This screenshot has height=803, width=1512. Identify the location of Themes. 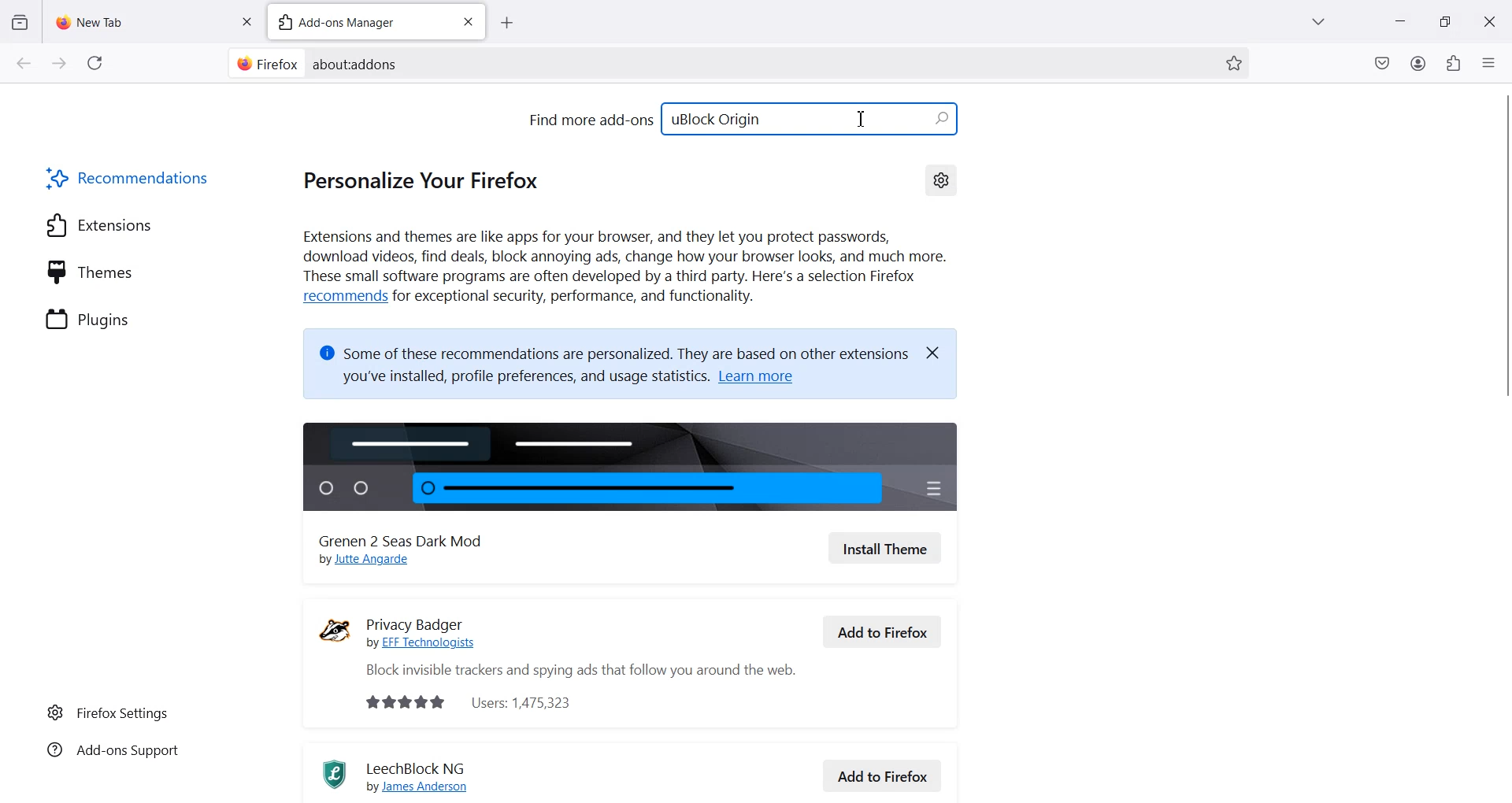
(91, 271).